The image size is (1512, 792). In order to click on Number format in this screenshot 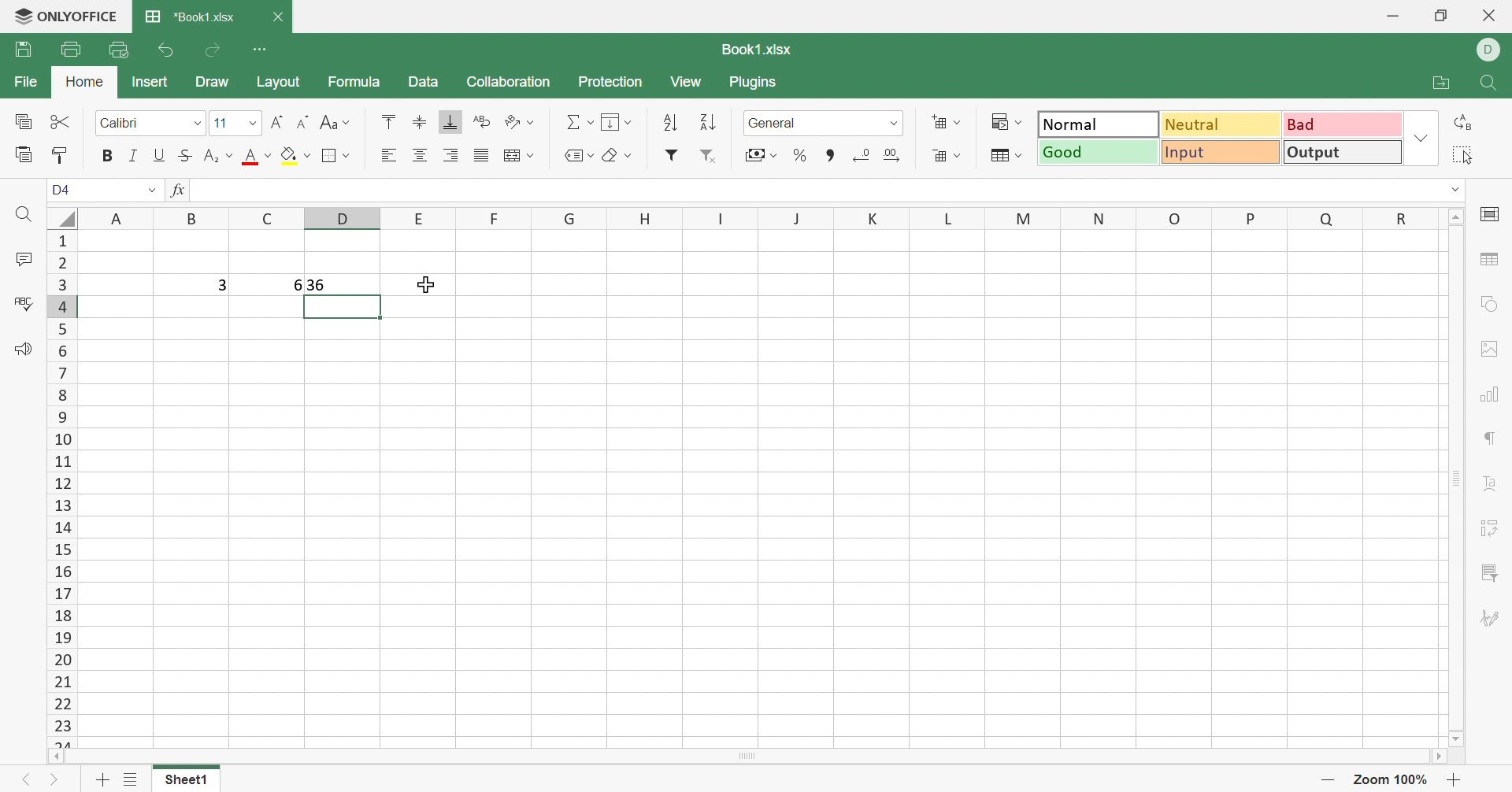, I will do `click(823, 123)`.